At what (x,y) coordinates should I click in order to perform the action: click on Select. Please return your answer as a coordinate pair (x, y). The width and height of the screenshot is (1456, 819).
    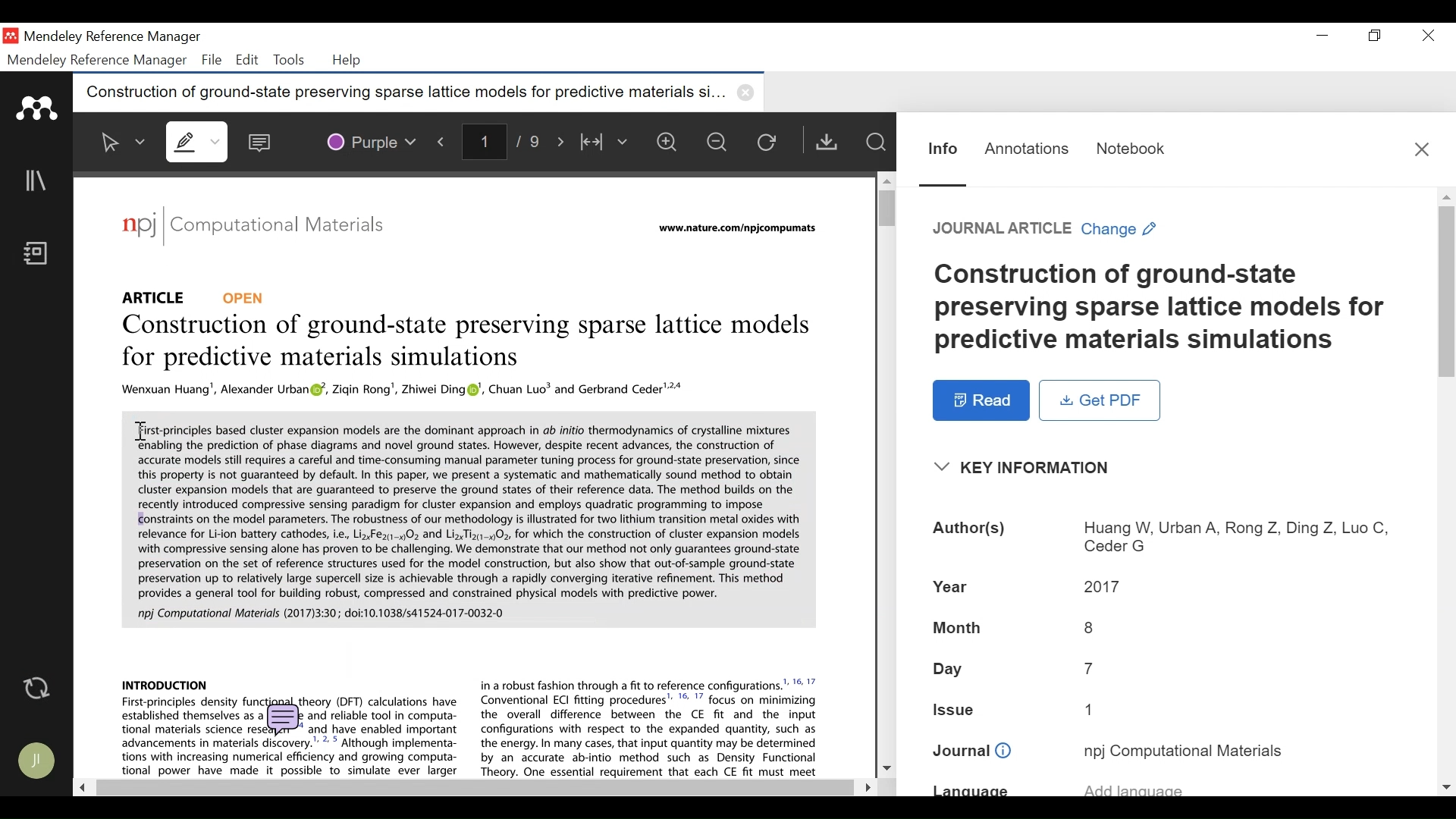
    Looking at the image, I should click on (124, 142).